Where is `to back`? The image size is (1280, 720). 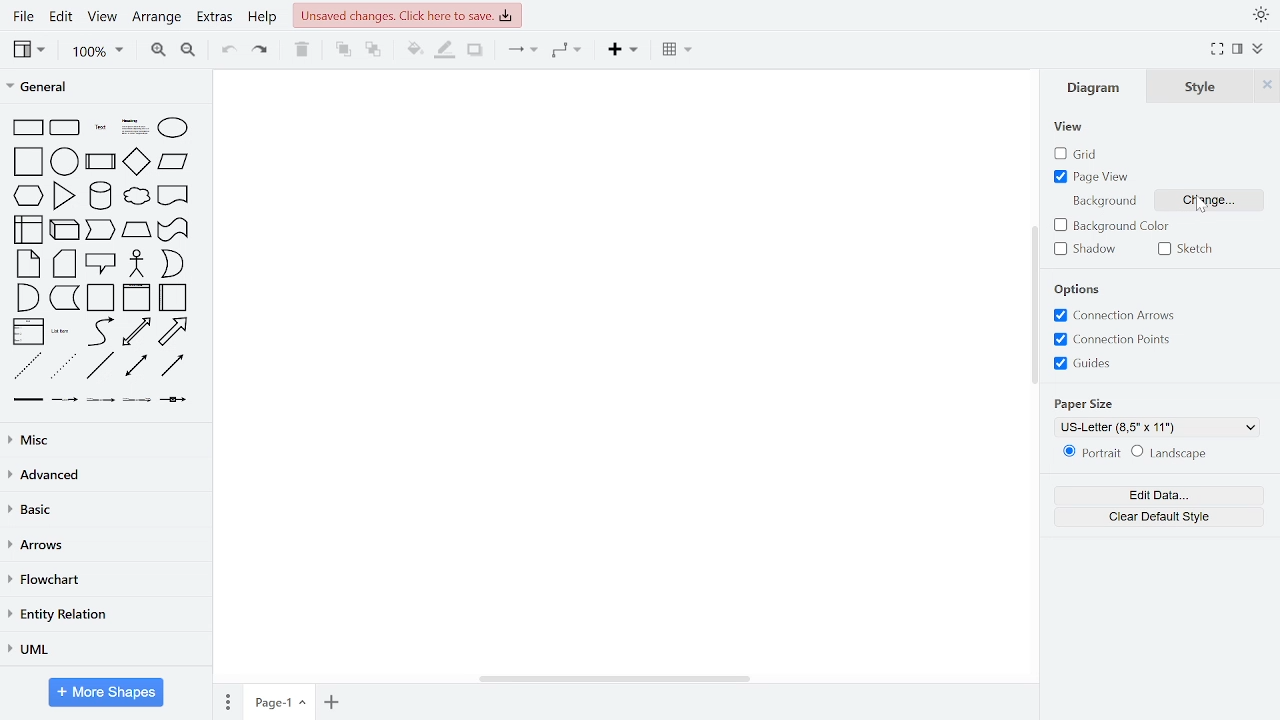 to back is located at coordinates (374, 51).